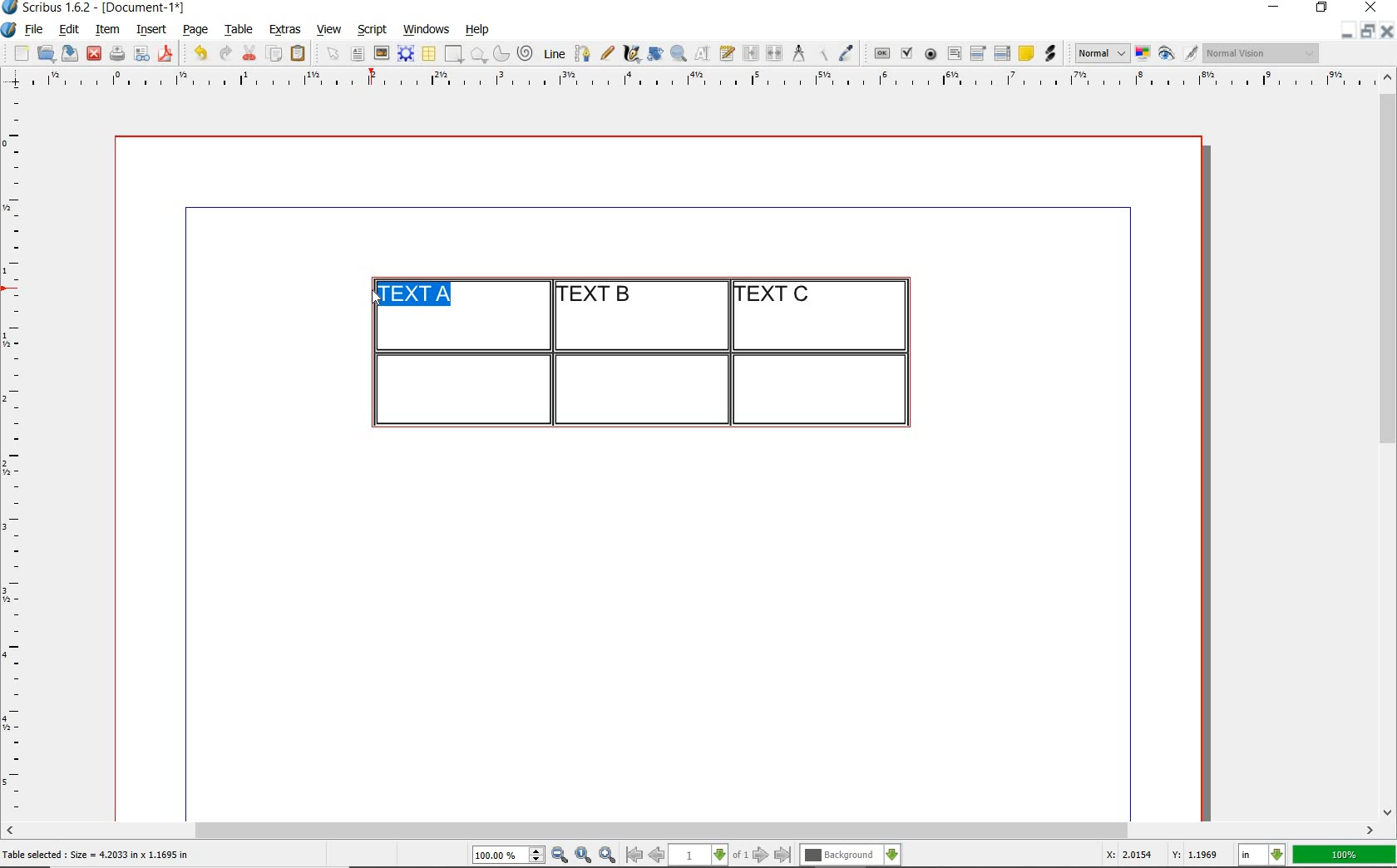 This screenshot has width=1397, height=868. I want to click on edit, so click(70, 29).